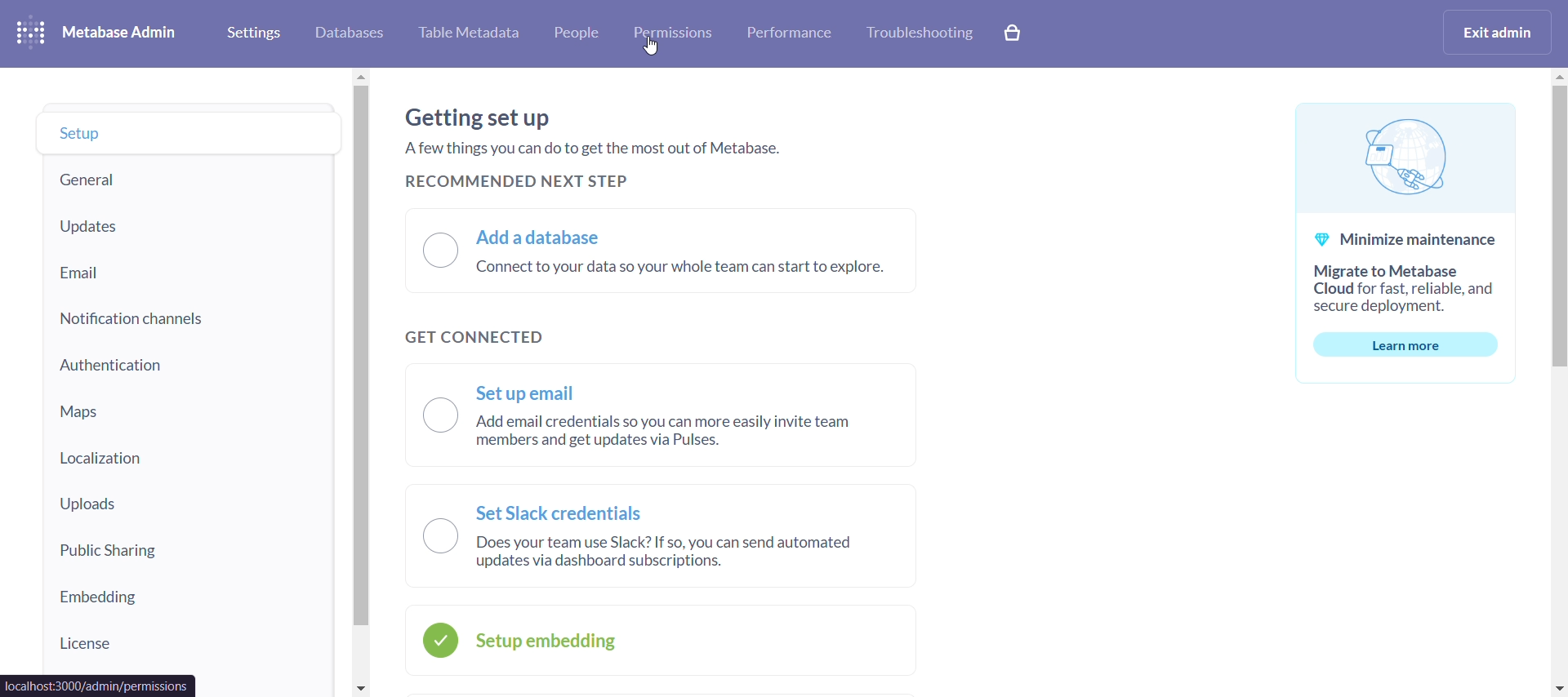  Describe the element at coordinates (121, 33) in the screenshot. I see `metbase admin` at that location.